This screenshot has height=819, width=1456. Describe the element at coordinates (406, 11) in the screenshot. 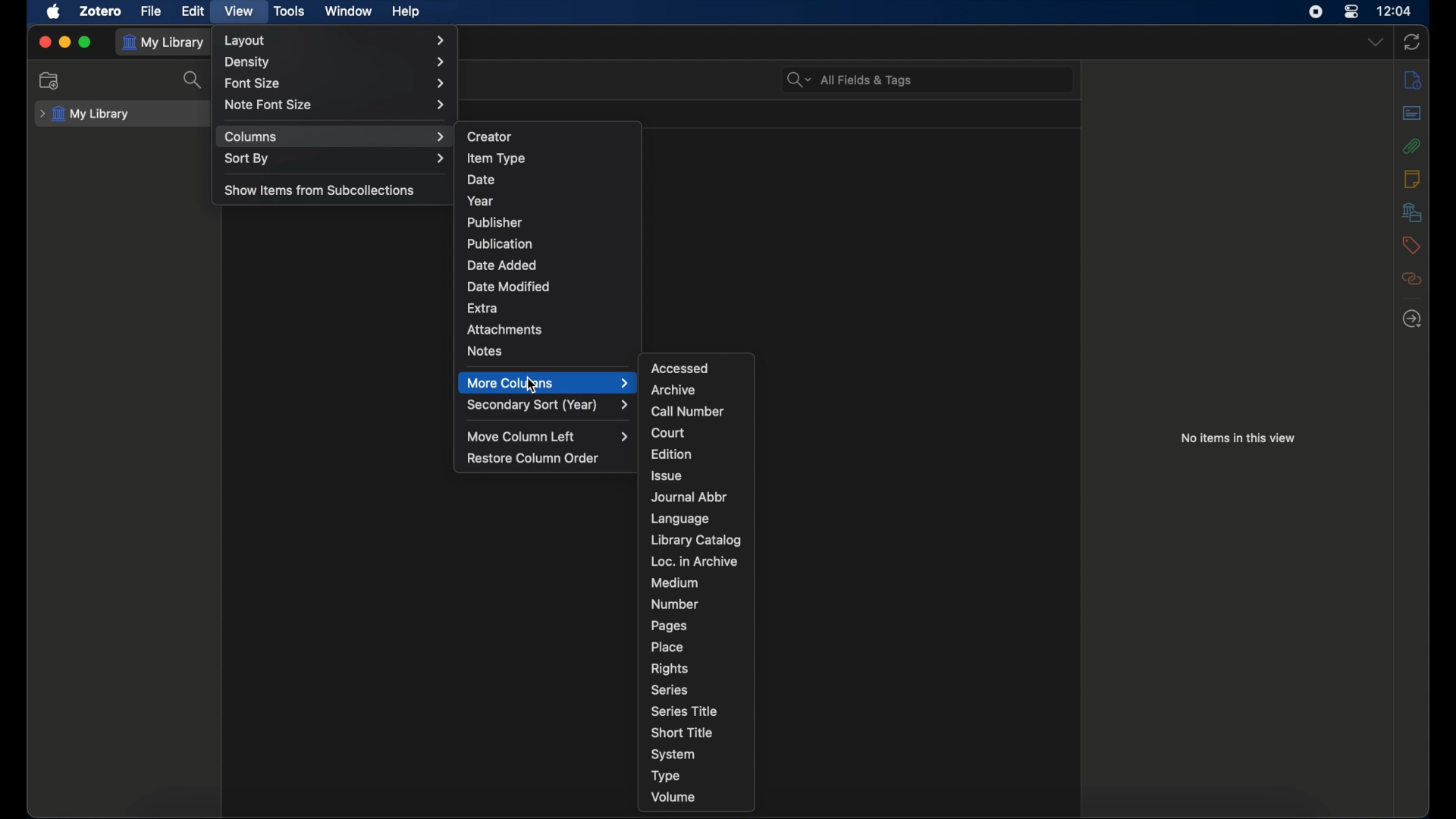

I see `help` at that location.